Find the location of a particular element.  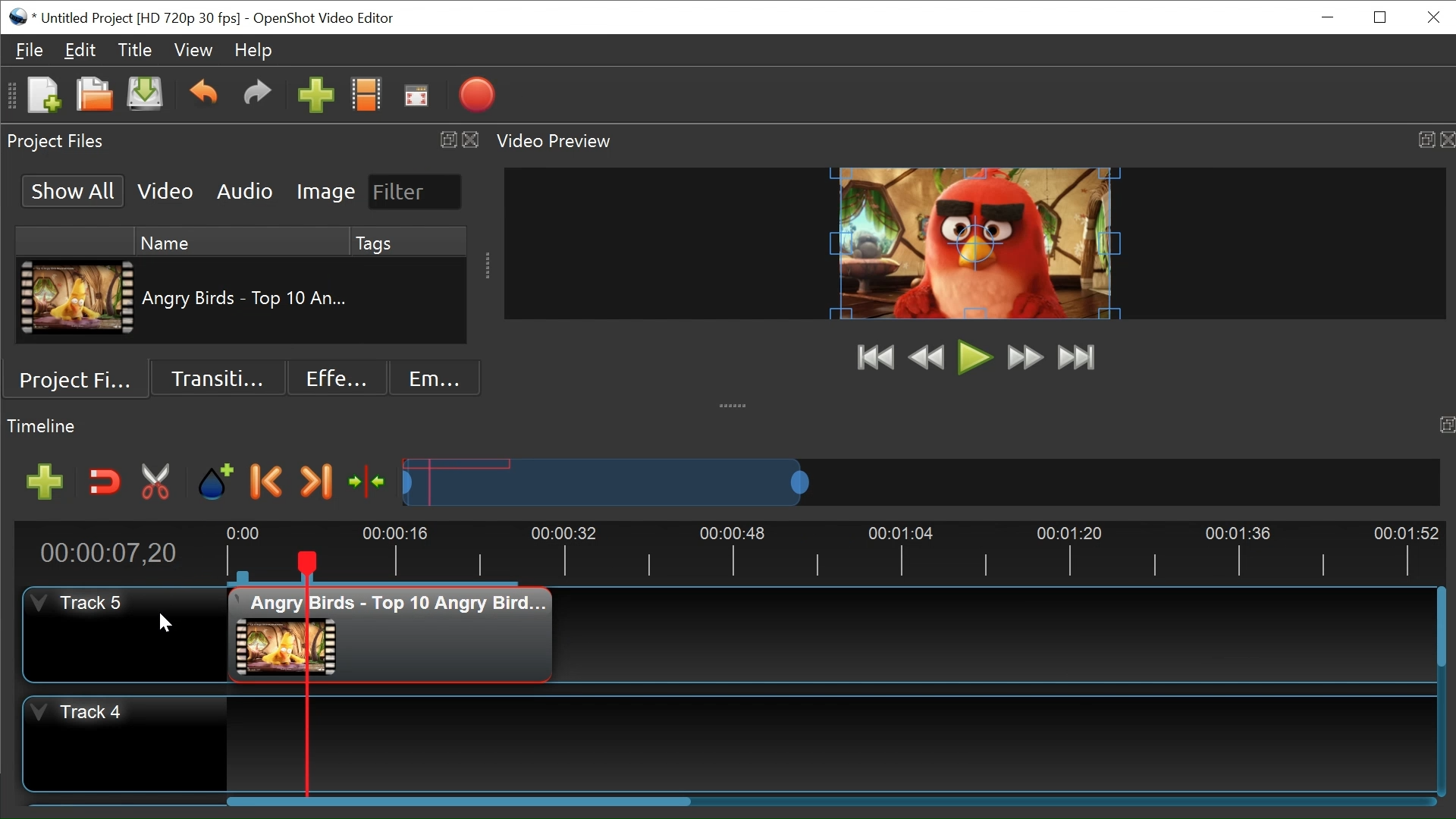

Title is located at coordinates (133, 50).